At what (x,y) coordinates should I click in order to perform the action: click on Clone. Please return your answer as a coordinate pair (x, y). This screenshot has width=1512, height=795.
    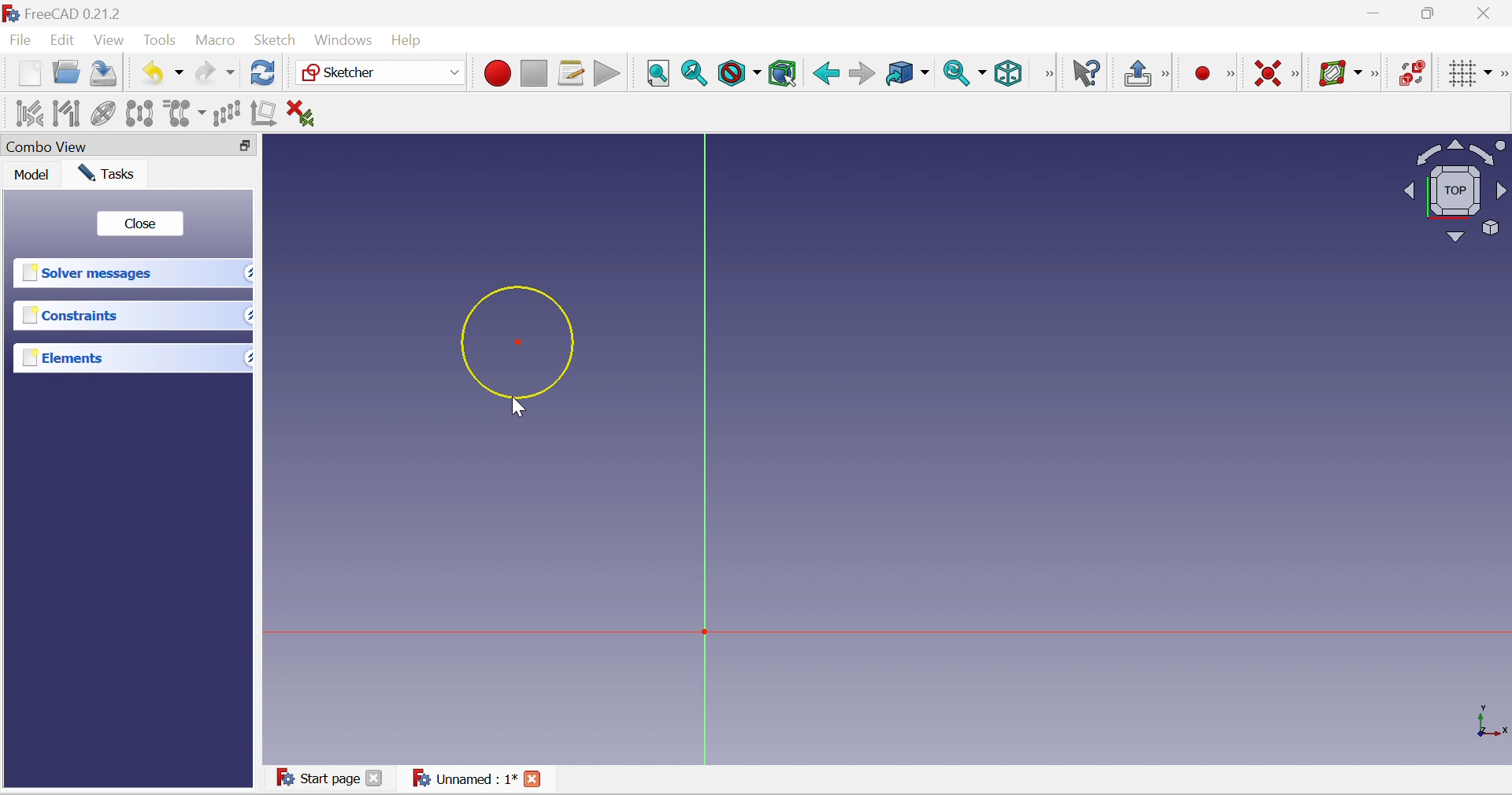
    Looking at the image, I should click on (103, 113).